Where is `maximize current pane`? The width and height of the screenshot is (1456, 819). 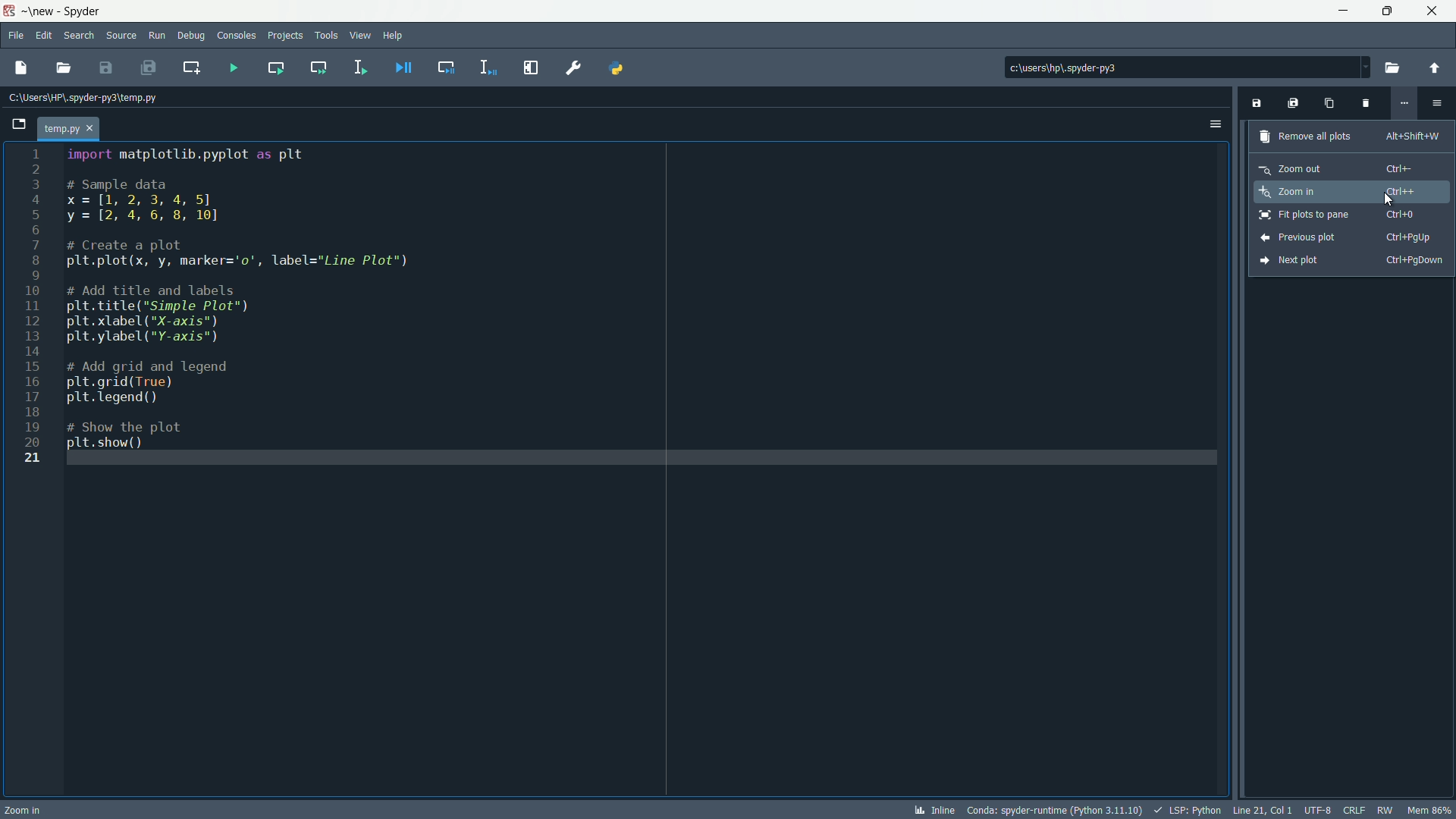 maximize current pane is located at coordinates (530, 67).